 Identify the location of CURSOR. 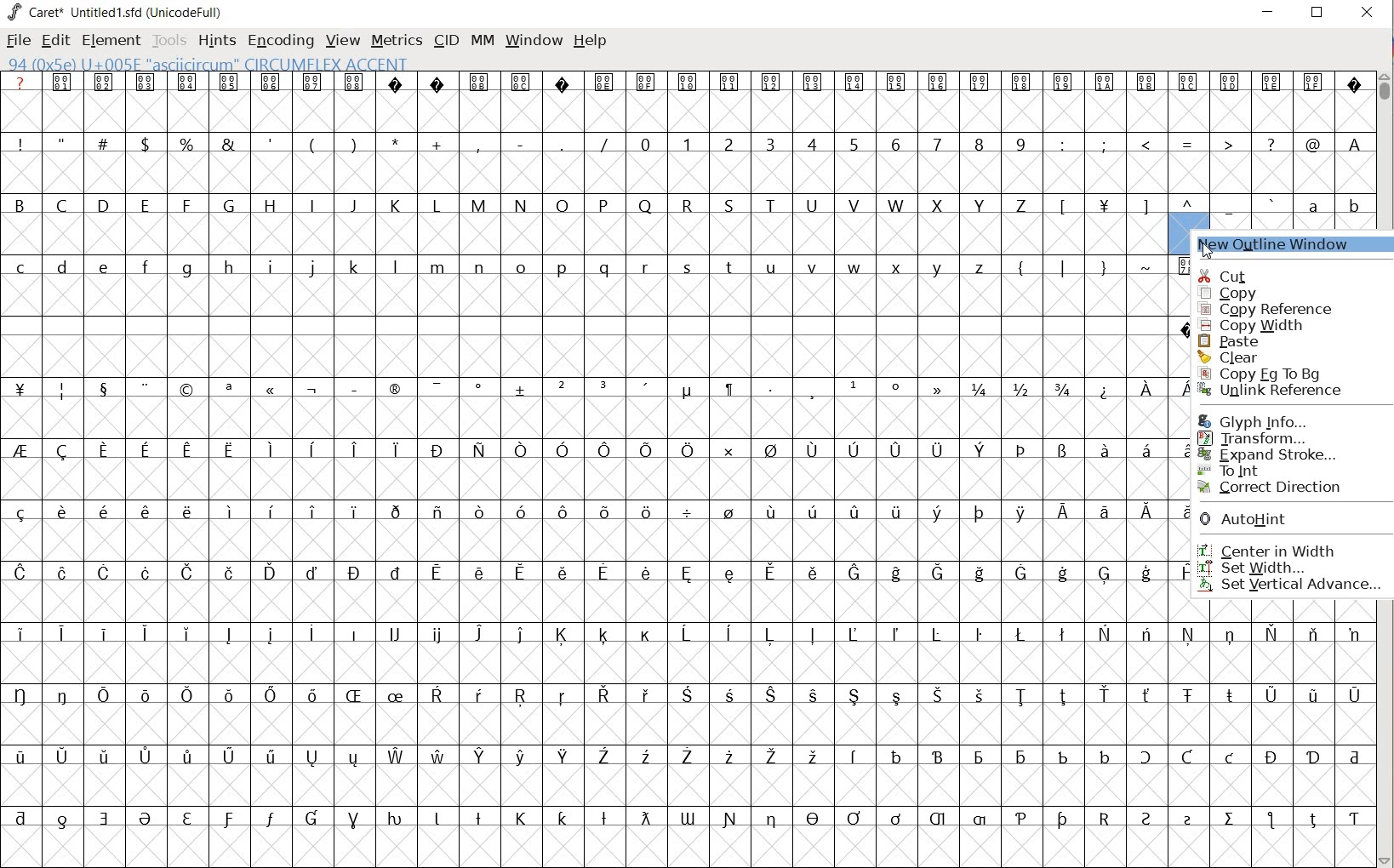
(1206, 241).